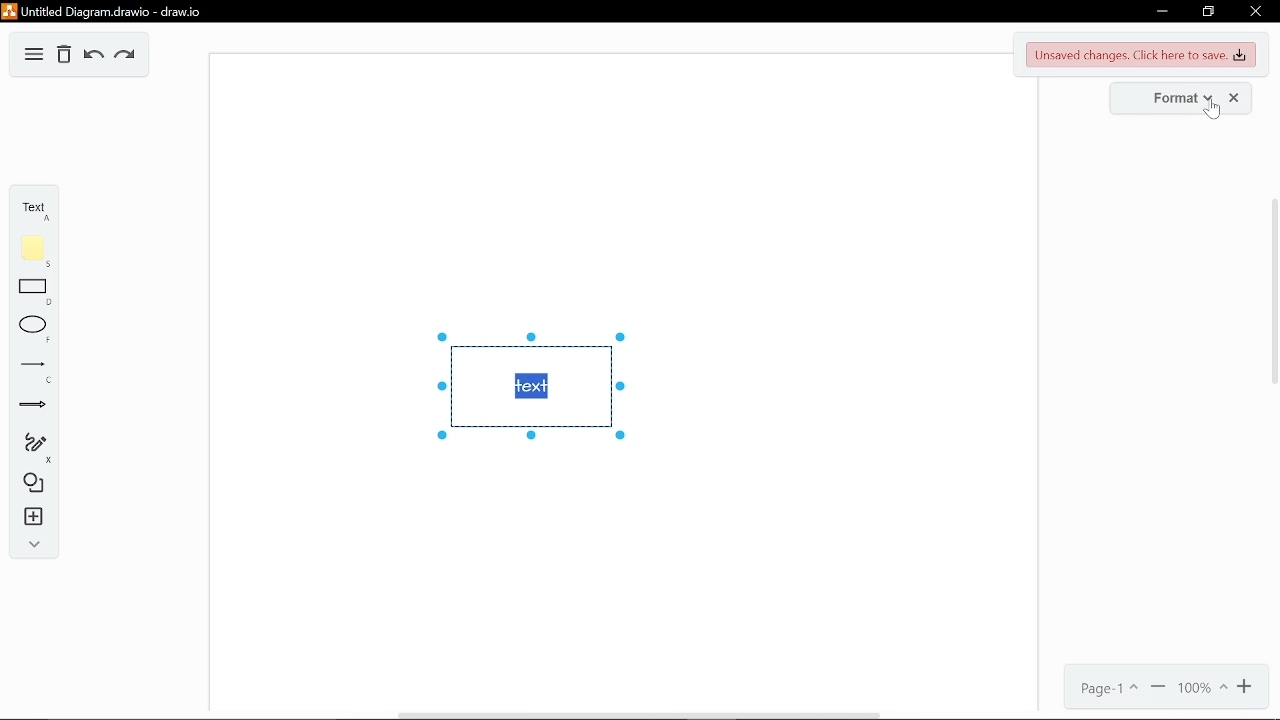  What do you see at coordinates (127, 56) in the screenshot?
I see `redo` at bounding box center [127, 56].